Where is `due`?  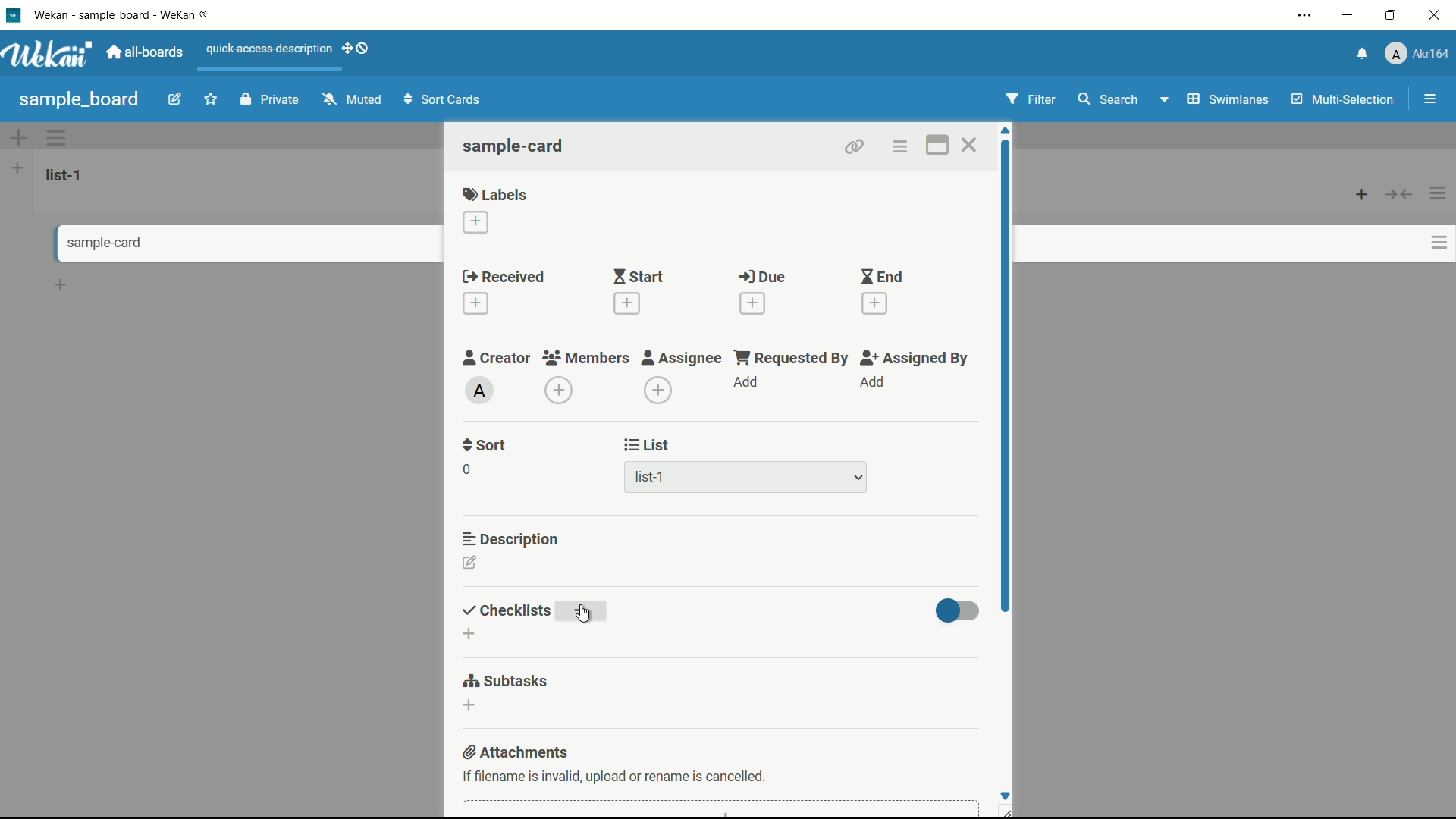 due is located at coordinates (762, 278).